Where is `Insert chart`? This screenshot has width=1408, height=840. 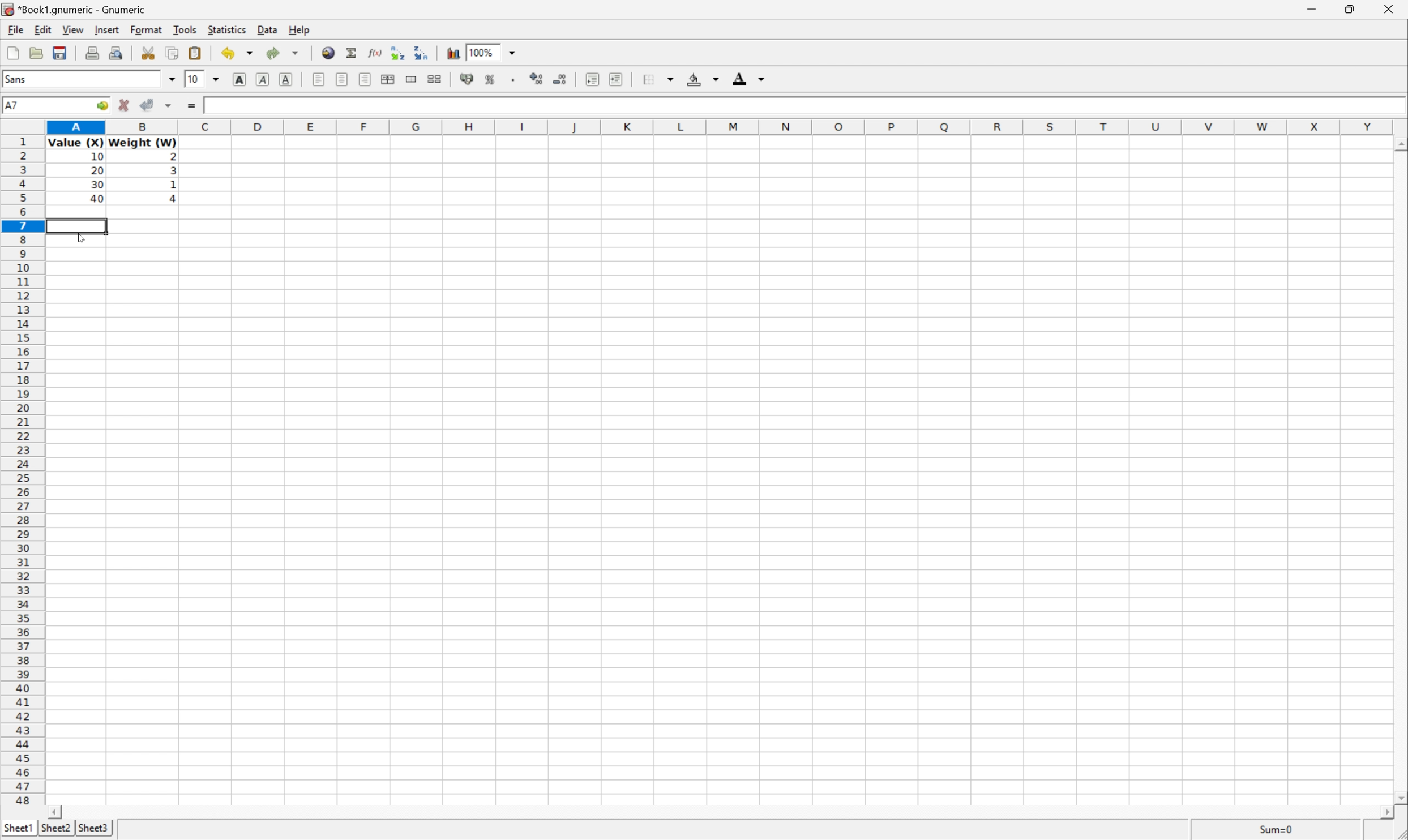 Insert chart is located at coordinates (453, 53).